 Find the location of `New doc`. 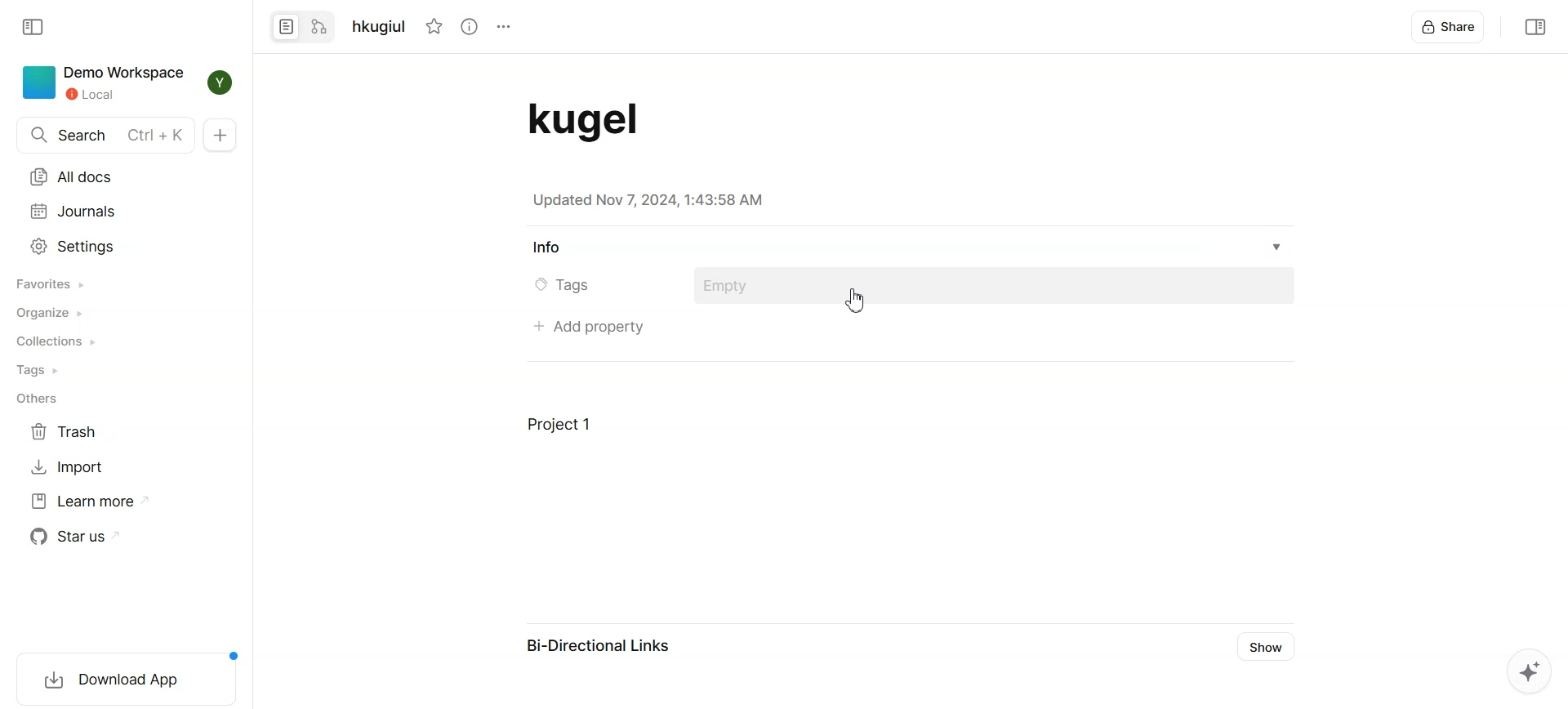

New doc is located at coordinates (220, 134).